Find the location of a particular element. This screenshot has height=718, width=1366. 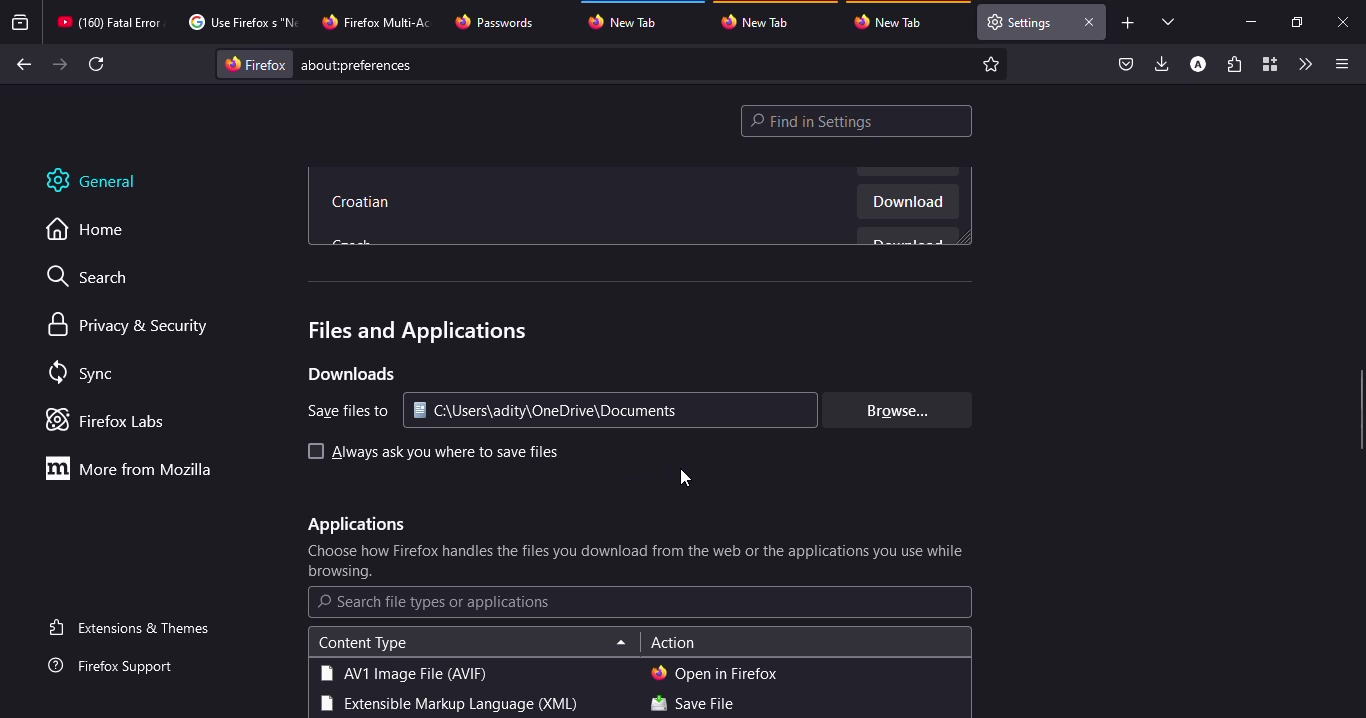

search is located at coordinates (97, 279).